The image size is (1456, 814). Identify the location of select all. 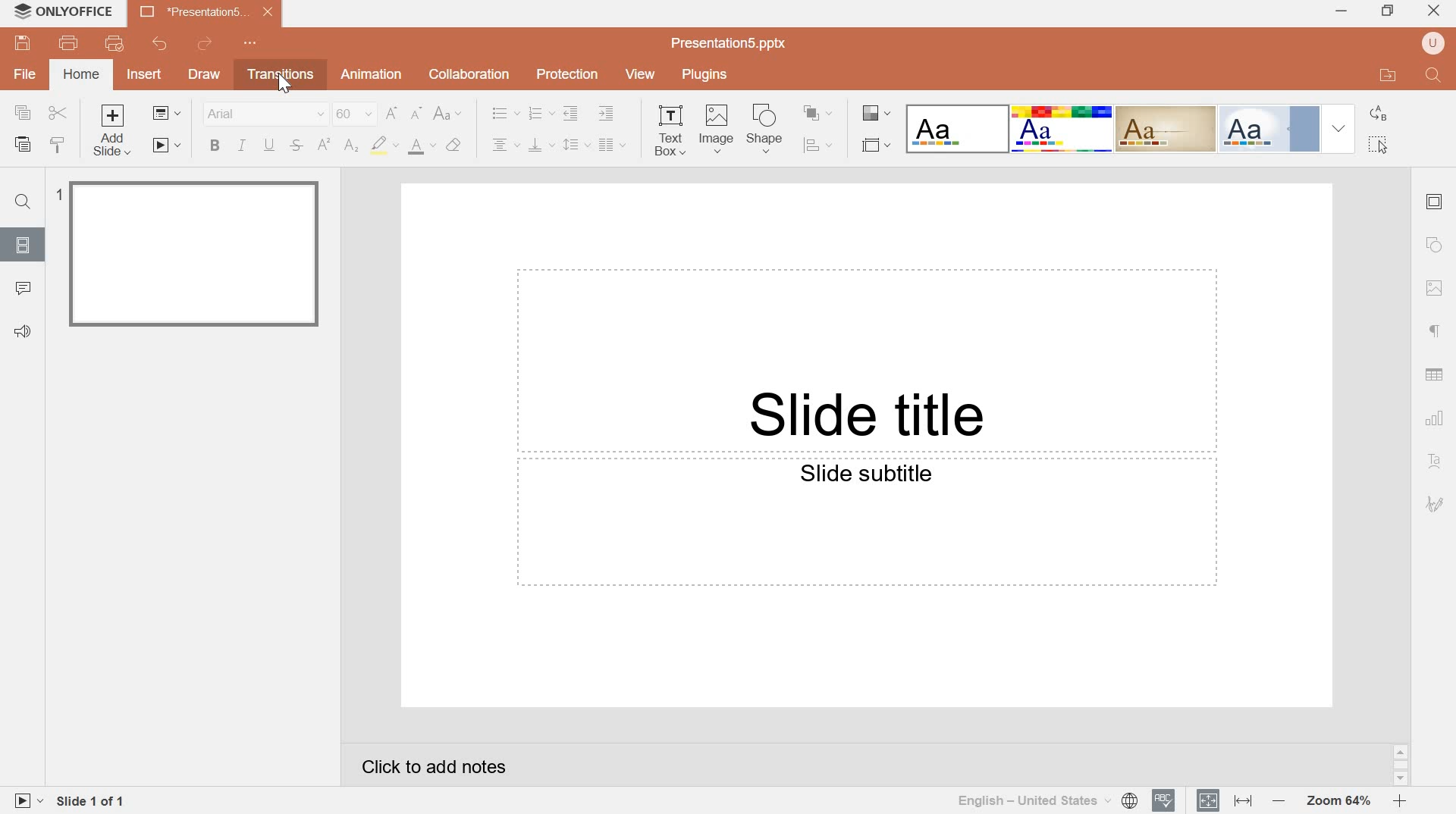
(1377, 144).